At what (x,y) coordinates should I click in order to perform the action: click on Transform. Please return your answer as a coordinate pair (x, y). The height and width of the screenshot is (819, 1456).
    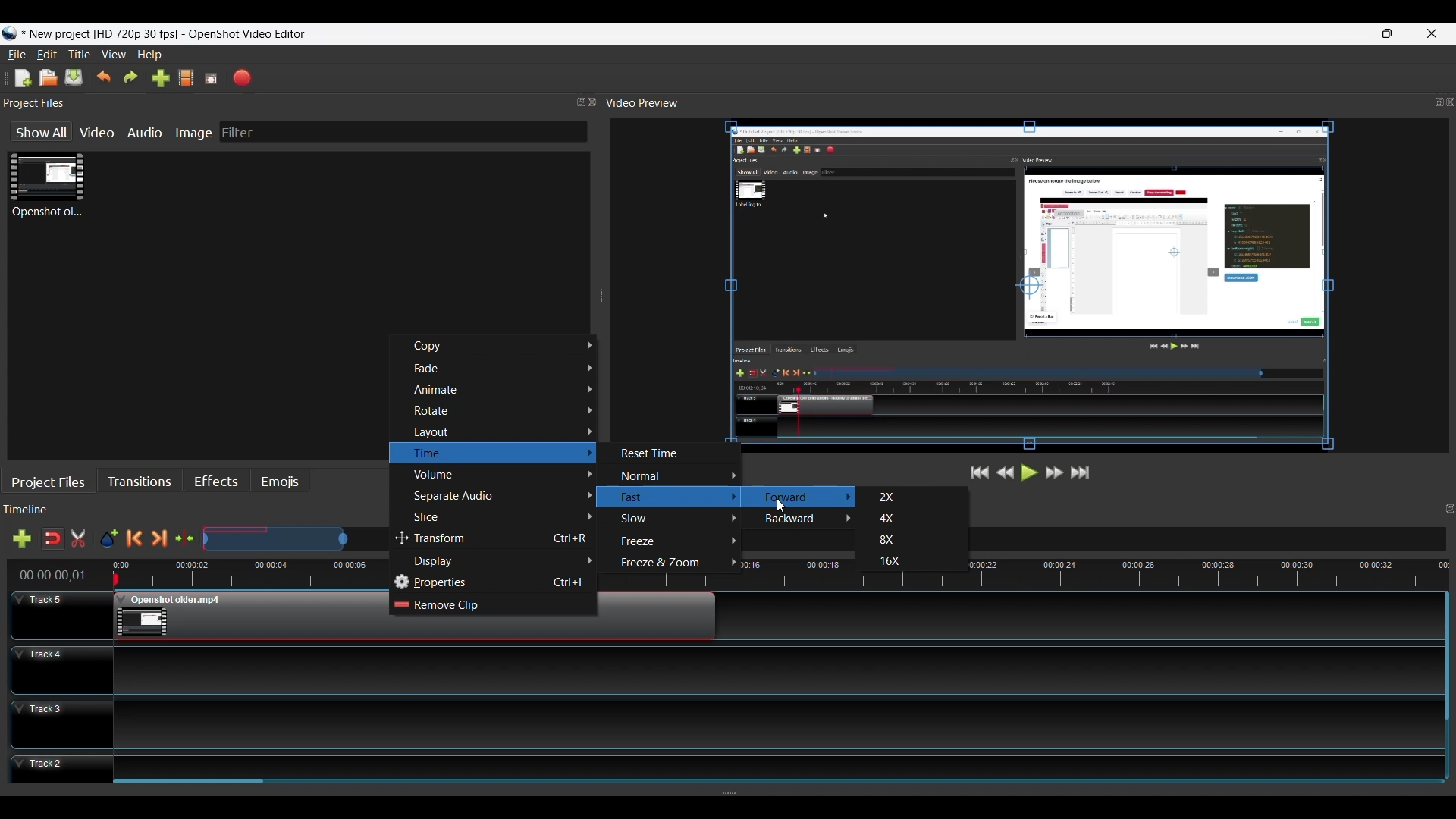
    Looking at the image, I should click on (494, 540).